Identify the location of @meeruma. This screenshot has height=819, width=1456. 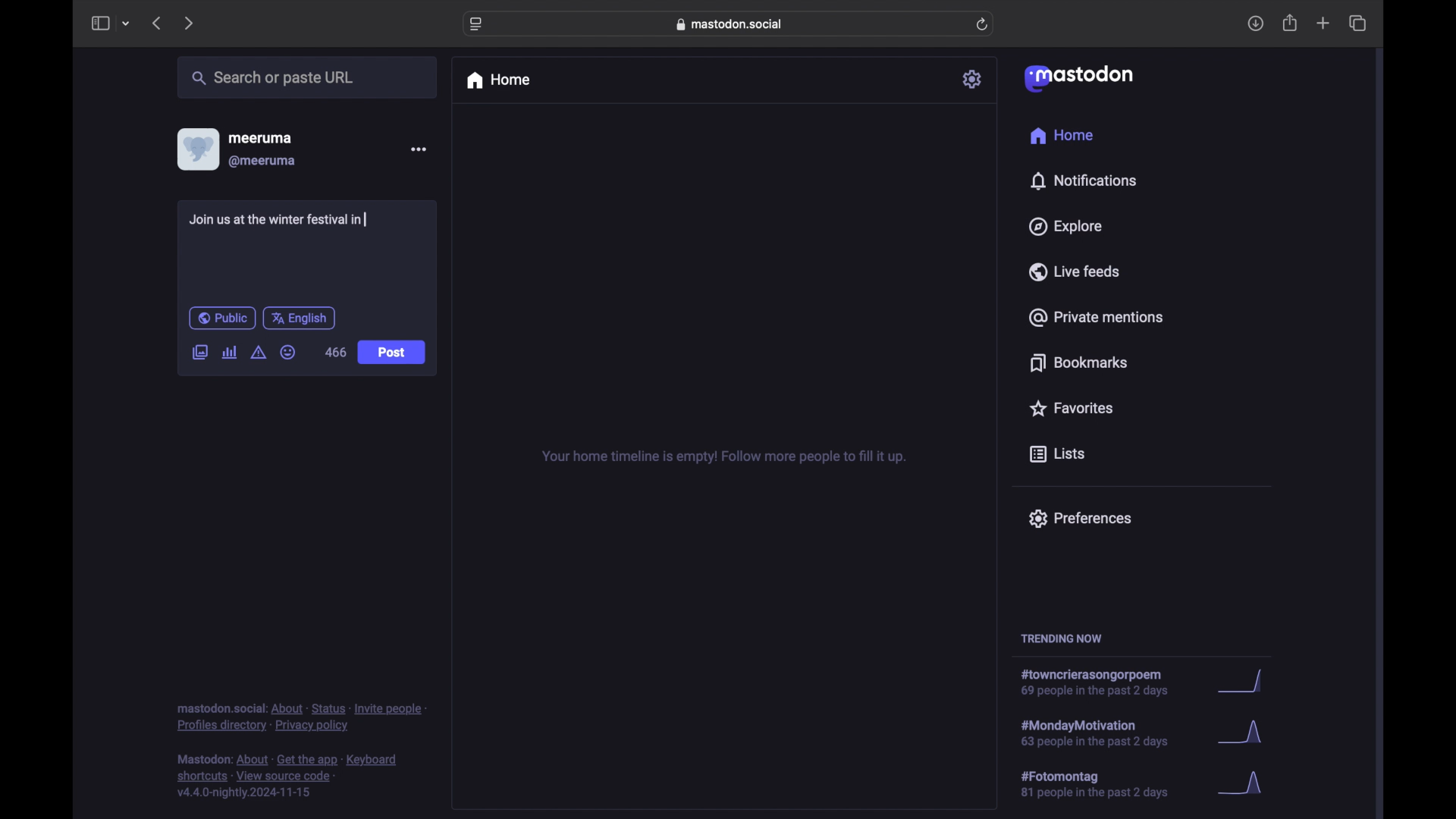
(262, 162).